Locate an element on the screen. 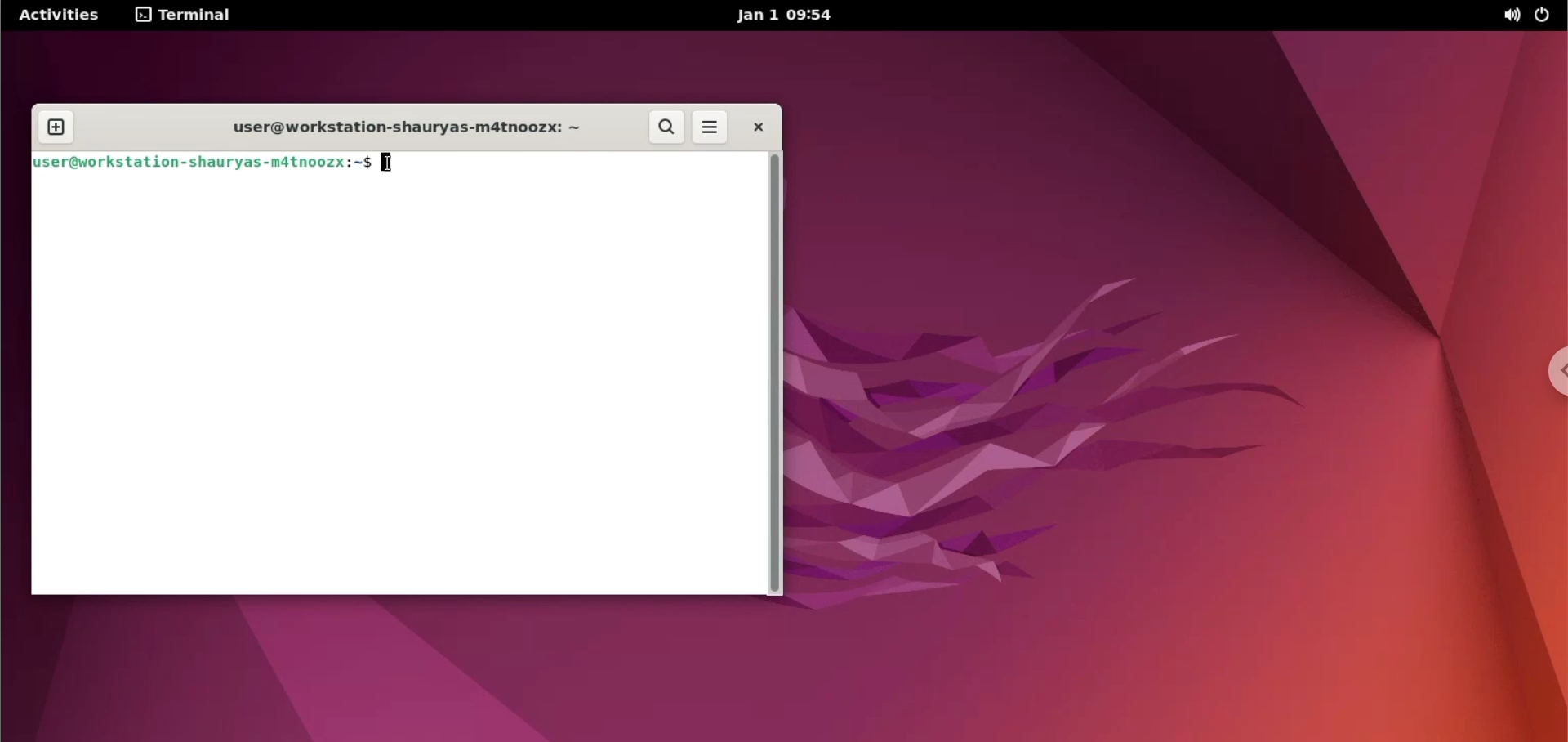  user@workstation- shauryas-m4tnoozx:~$  is located at coordinates (204, 163).